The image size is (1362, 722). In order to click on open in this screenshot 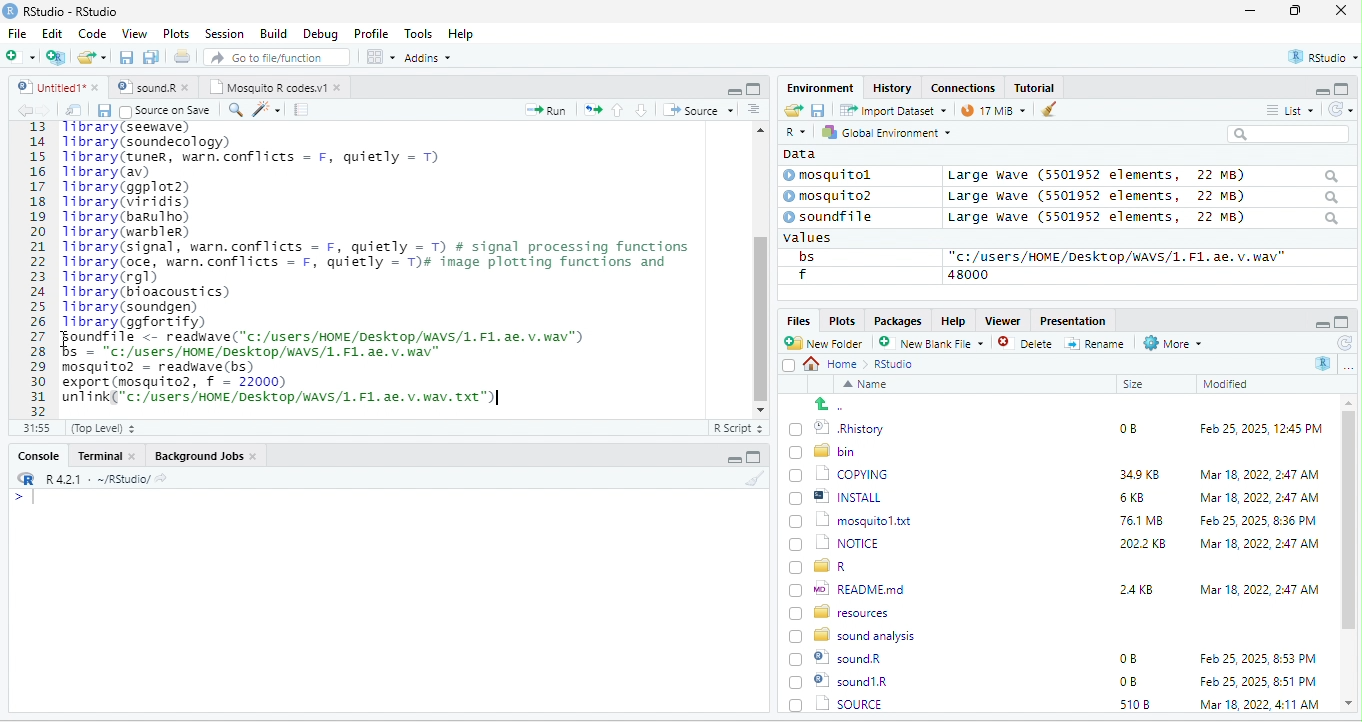, I will do `click(184, 59)`.